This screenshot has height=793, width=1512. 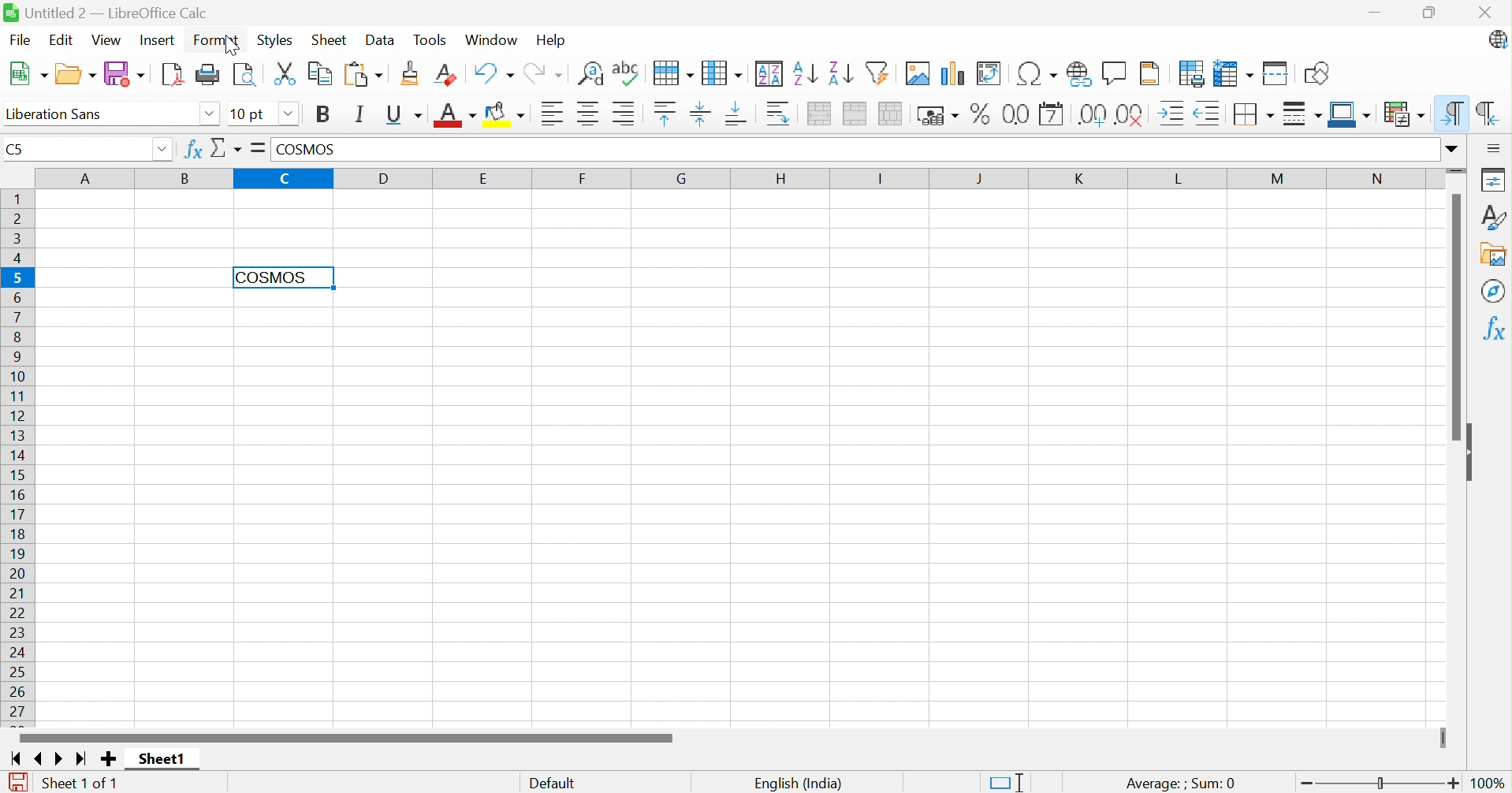 I want to click on Hide, so click(x=1475, y=451).